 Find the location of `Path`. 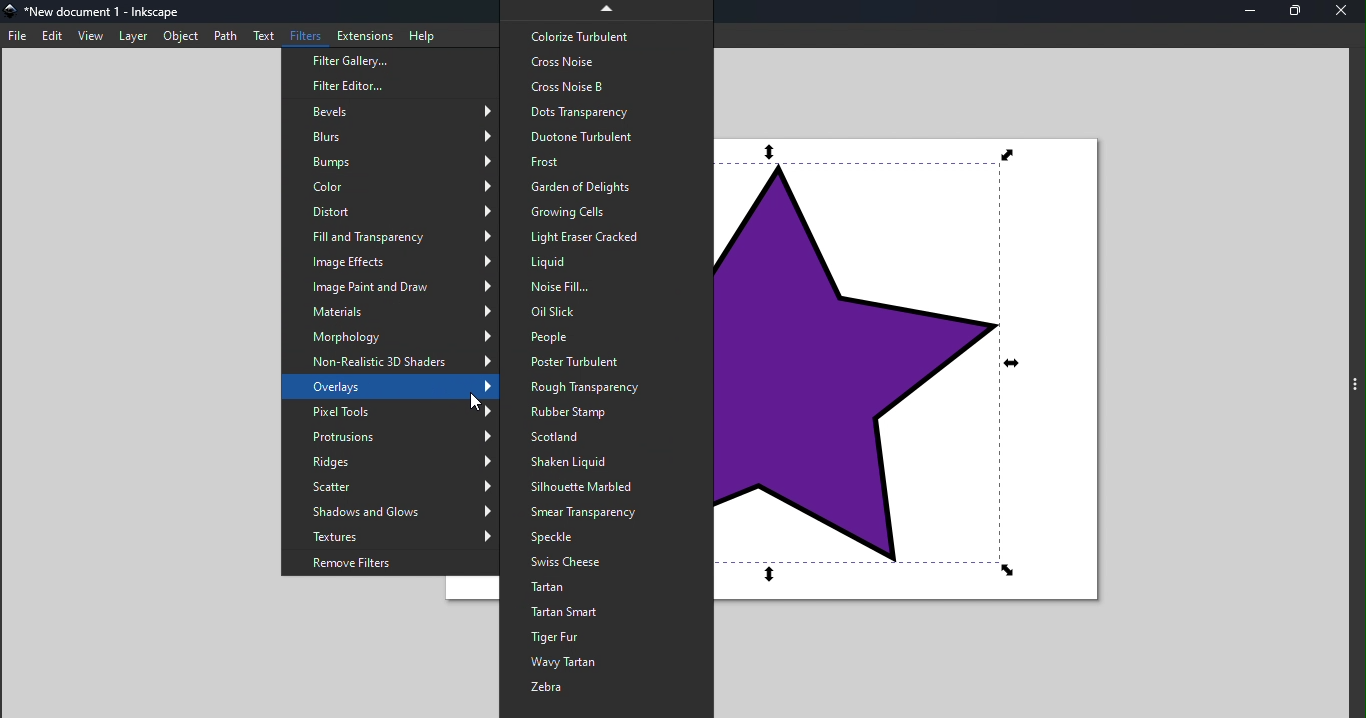

Path is located at coordinates (223, 36).